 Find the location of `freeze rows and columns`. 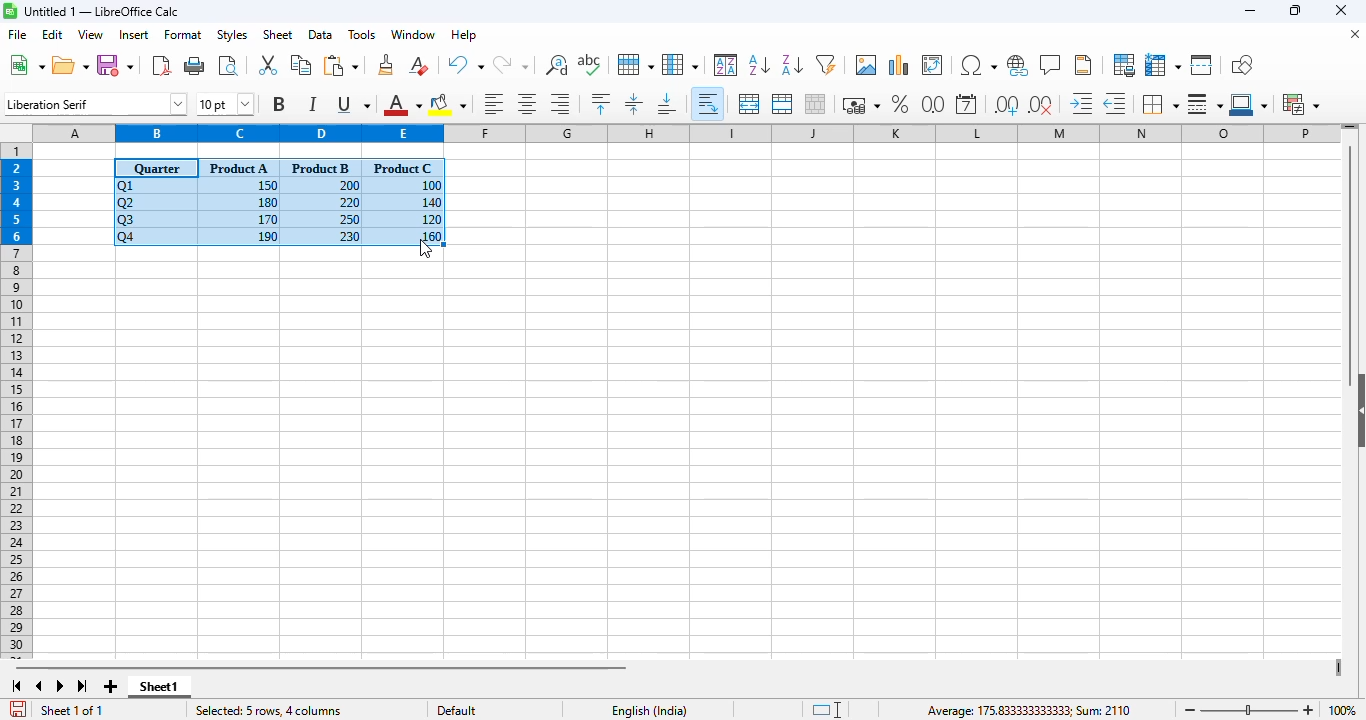

freeze rows and columns is located at coordinates (1163, 65).